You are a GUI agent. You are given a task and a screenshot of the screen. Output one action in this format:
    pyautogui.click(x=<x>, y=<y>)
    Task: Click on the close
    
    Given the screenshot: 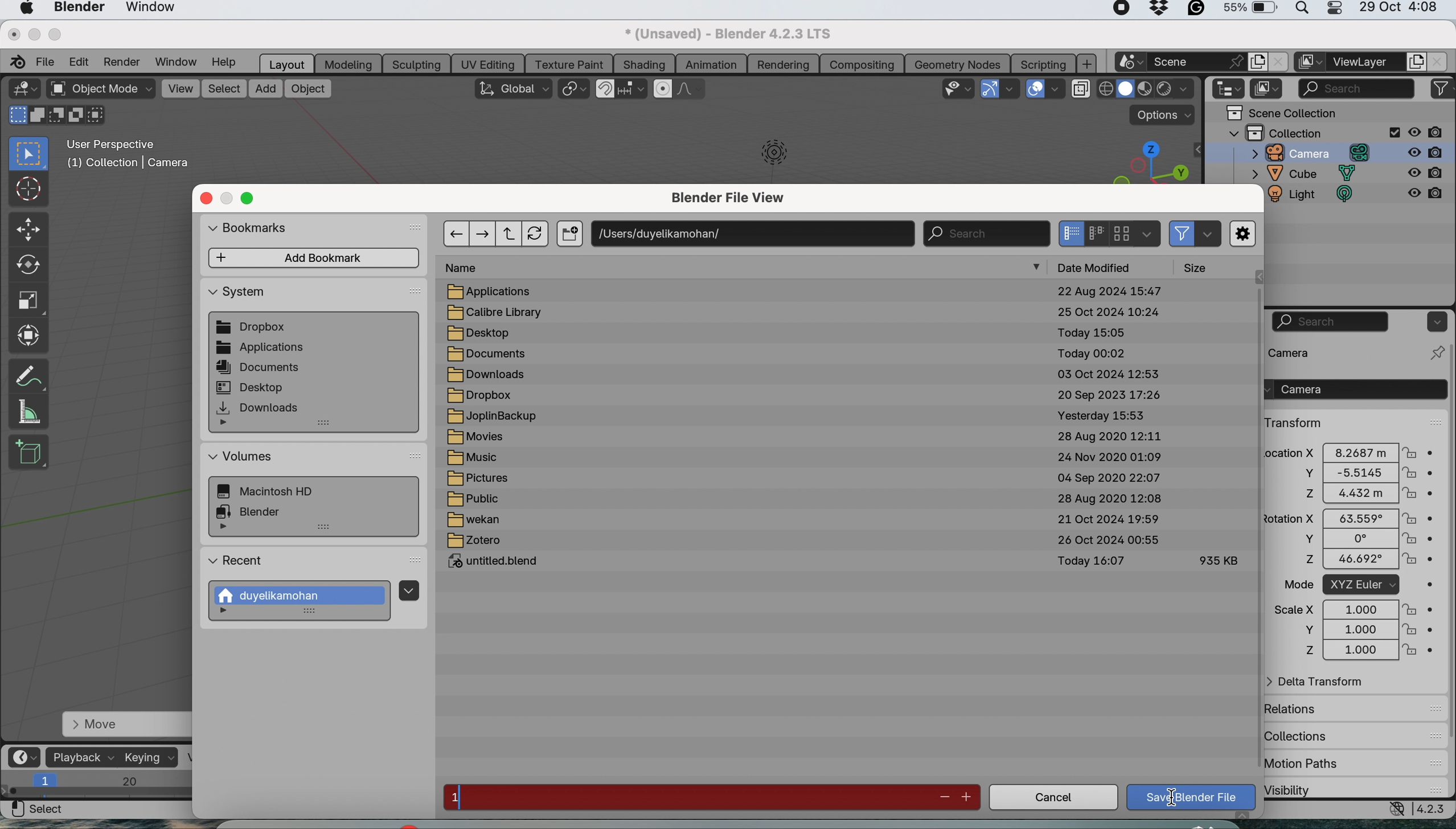 What is the action you would take?
    pyautogui.click(x=13, y=33)
    